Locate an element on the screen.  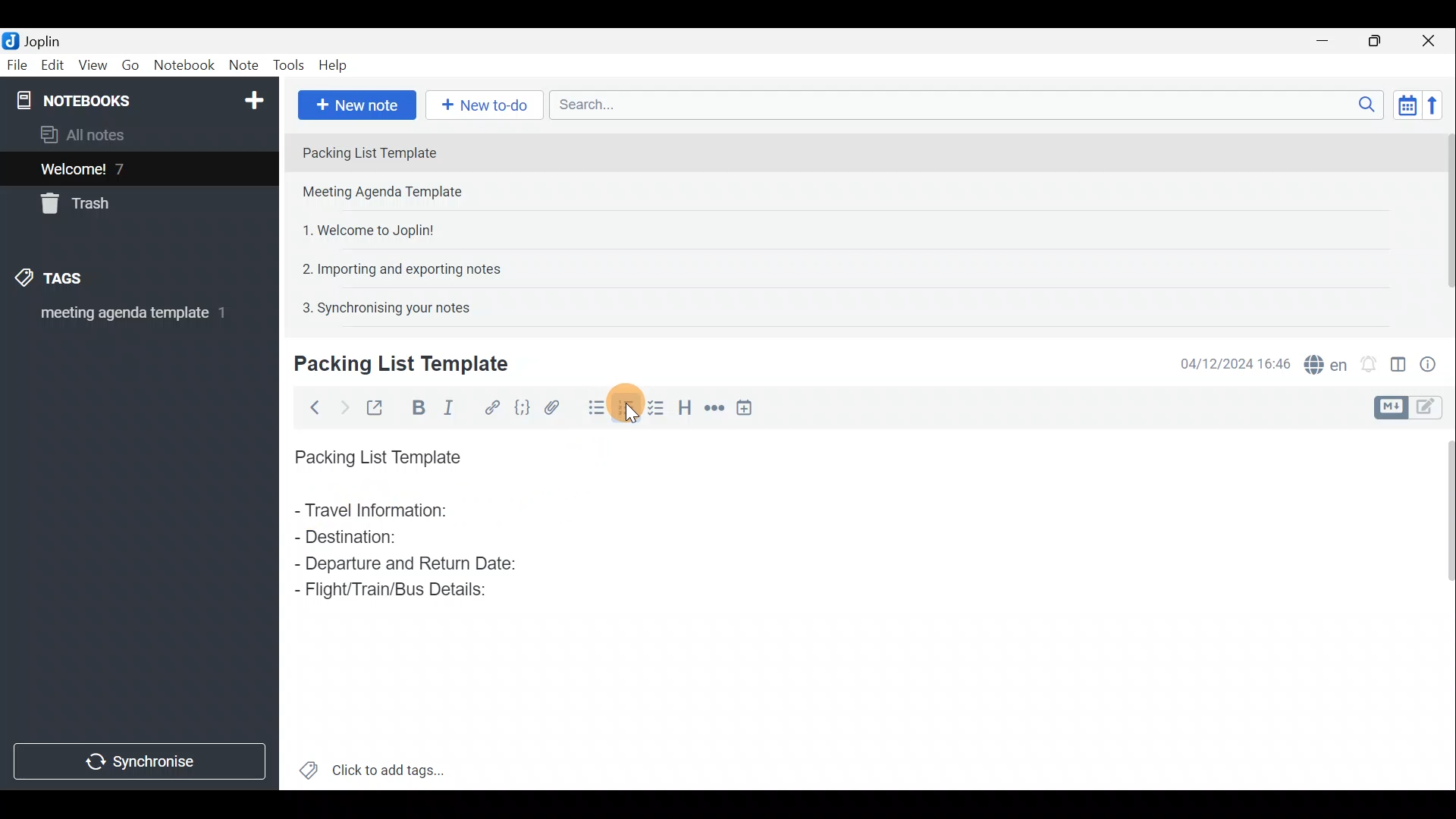
Joplin is located at coordinates (36, 40).